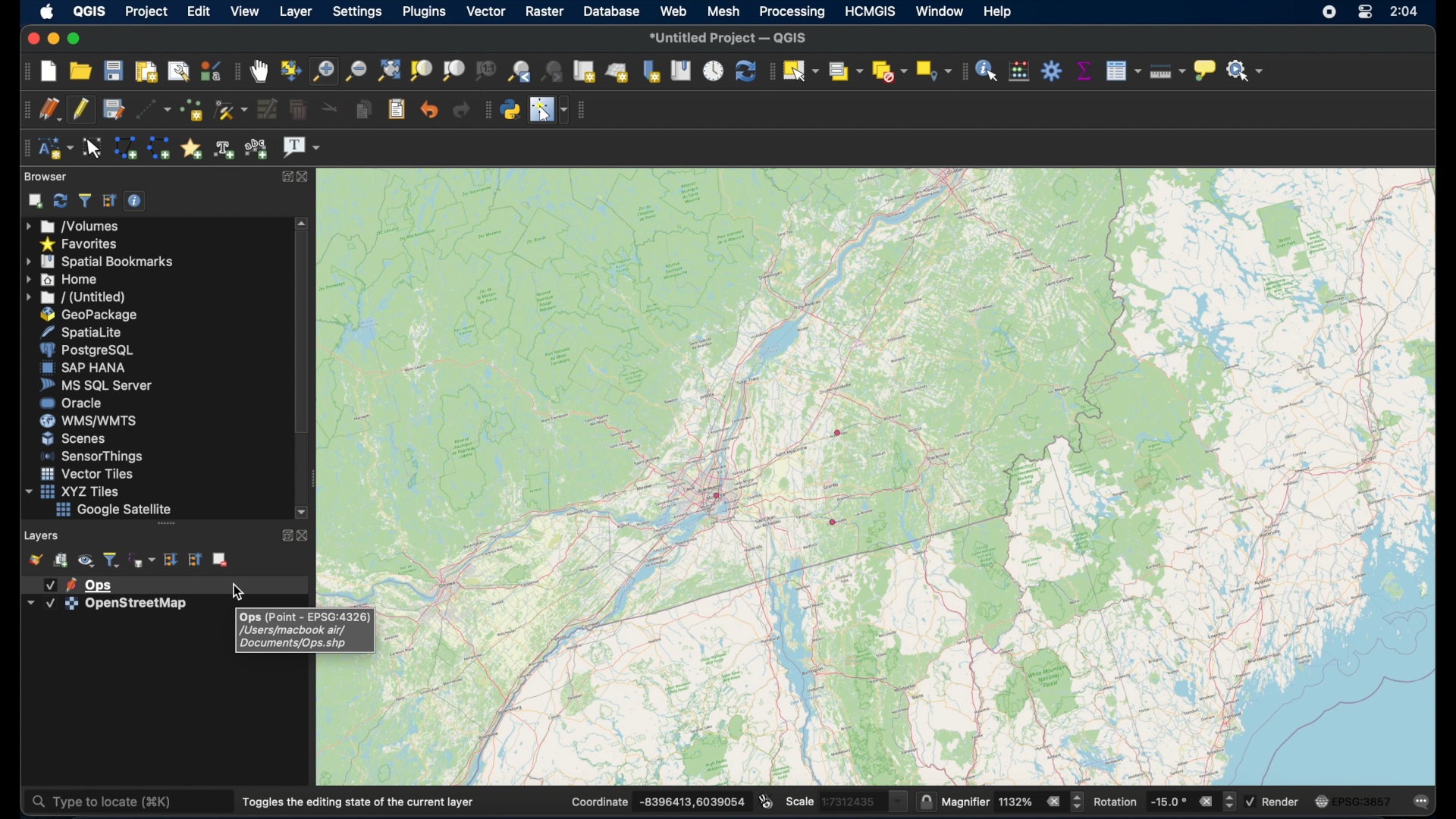  Describe the element at coordinates (89, 457) in the screenshot. I see `sensor things` at that location.